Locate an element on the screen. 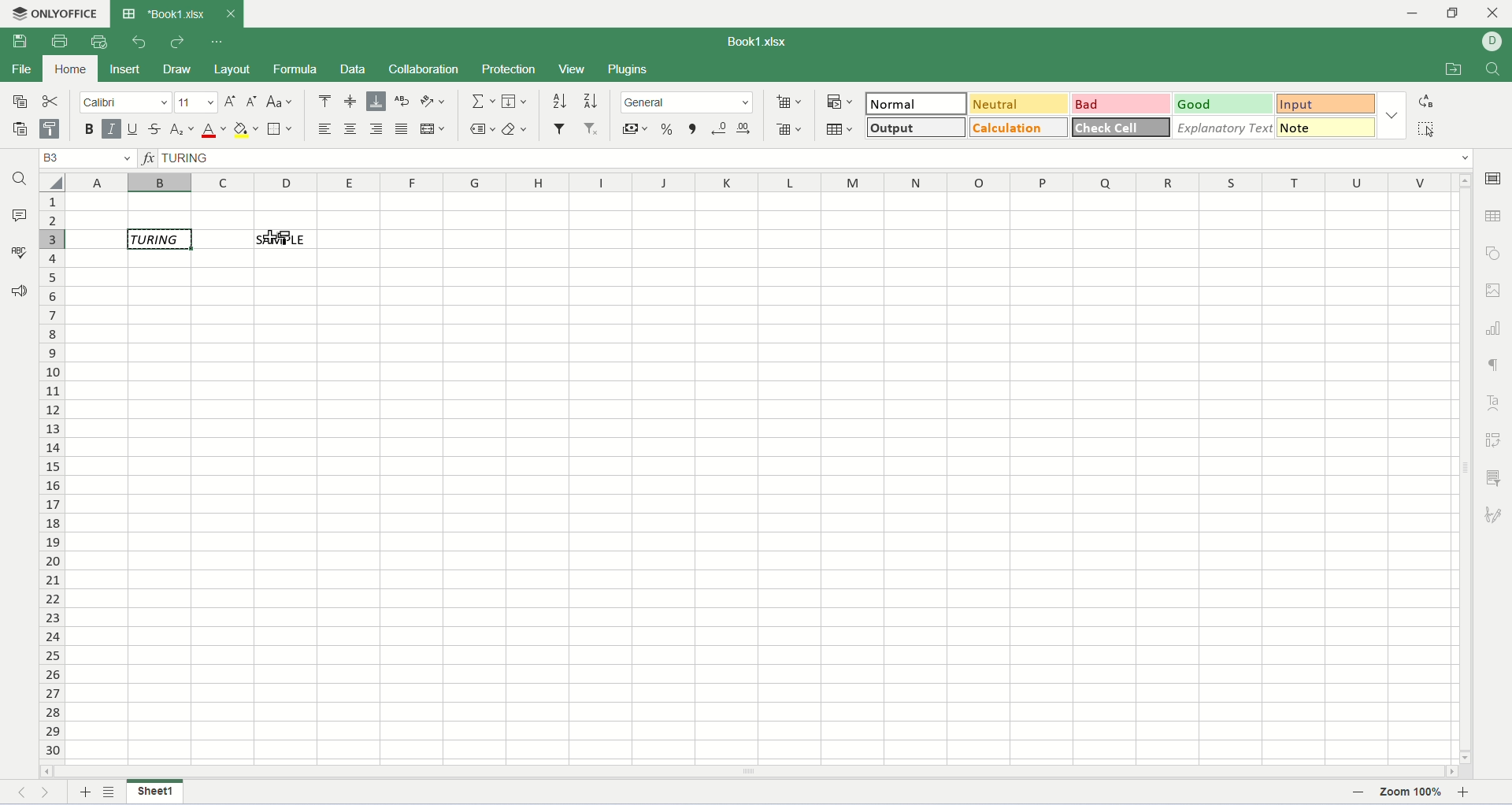  check cell is located at coordinates (1122, 125).